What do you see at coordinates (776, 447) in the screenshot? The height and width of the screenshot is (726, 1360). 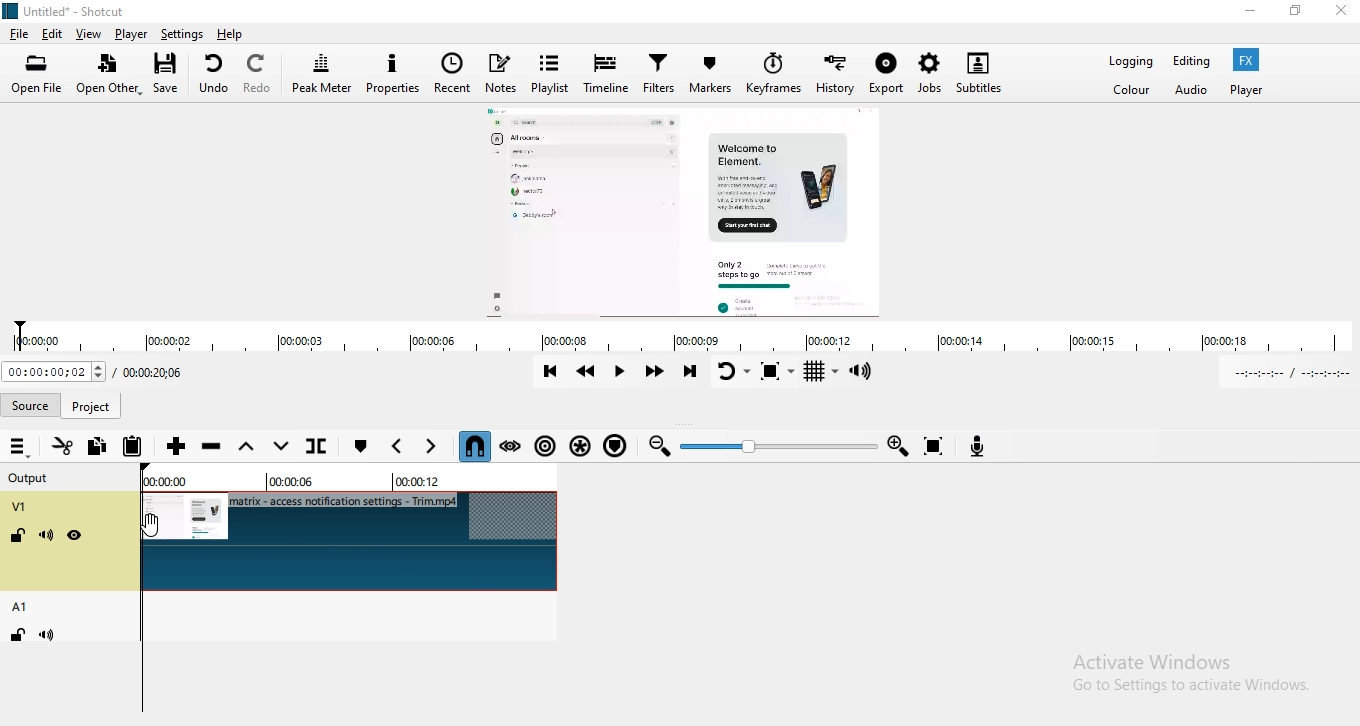 I see `Zoom slider` at bounding box center [776, 447].